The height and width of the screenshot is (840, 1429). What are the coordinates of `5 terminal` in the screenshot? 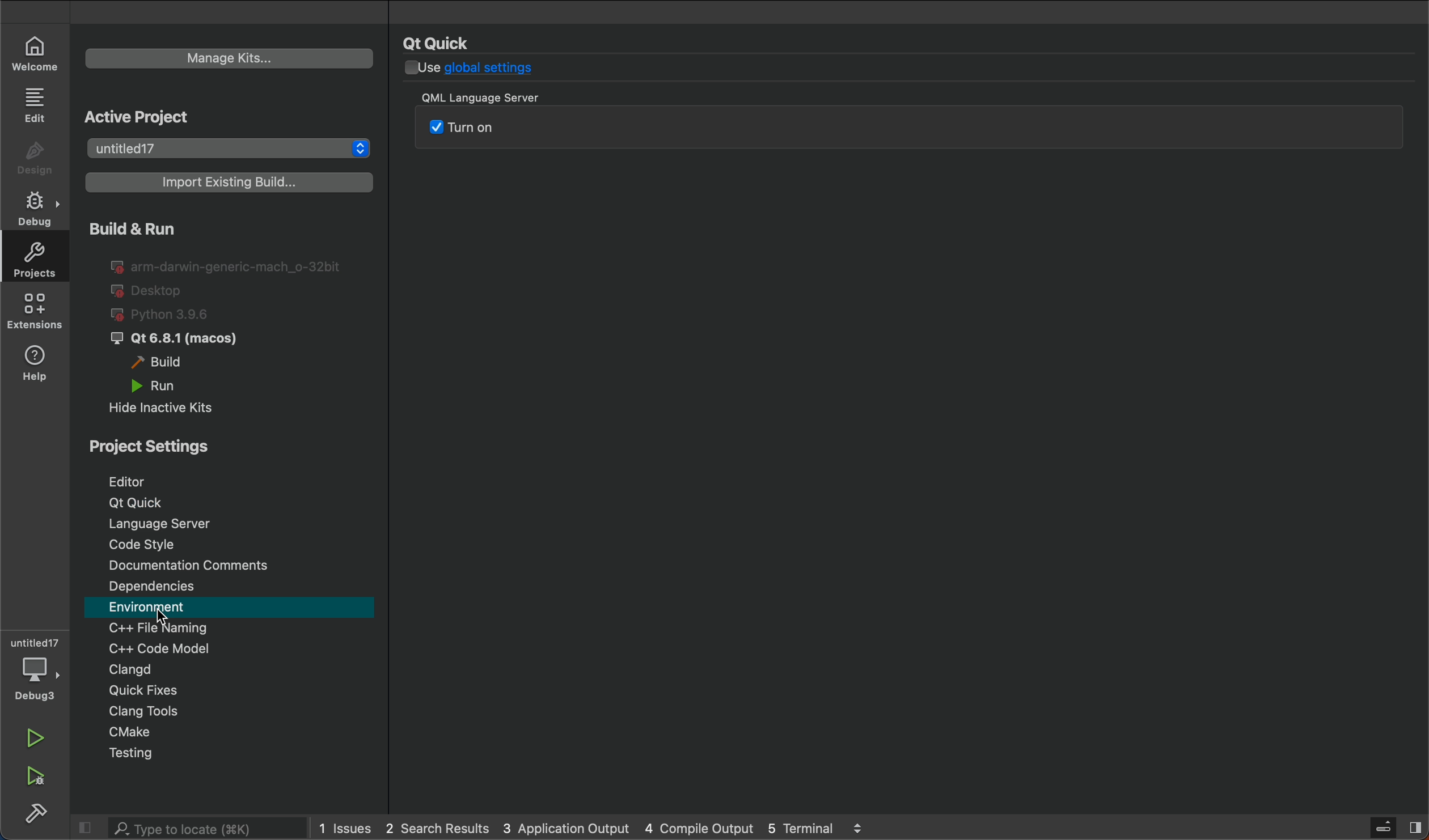 It's located at (849, 828).